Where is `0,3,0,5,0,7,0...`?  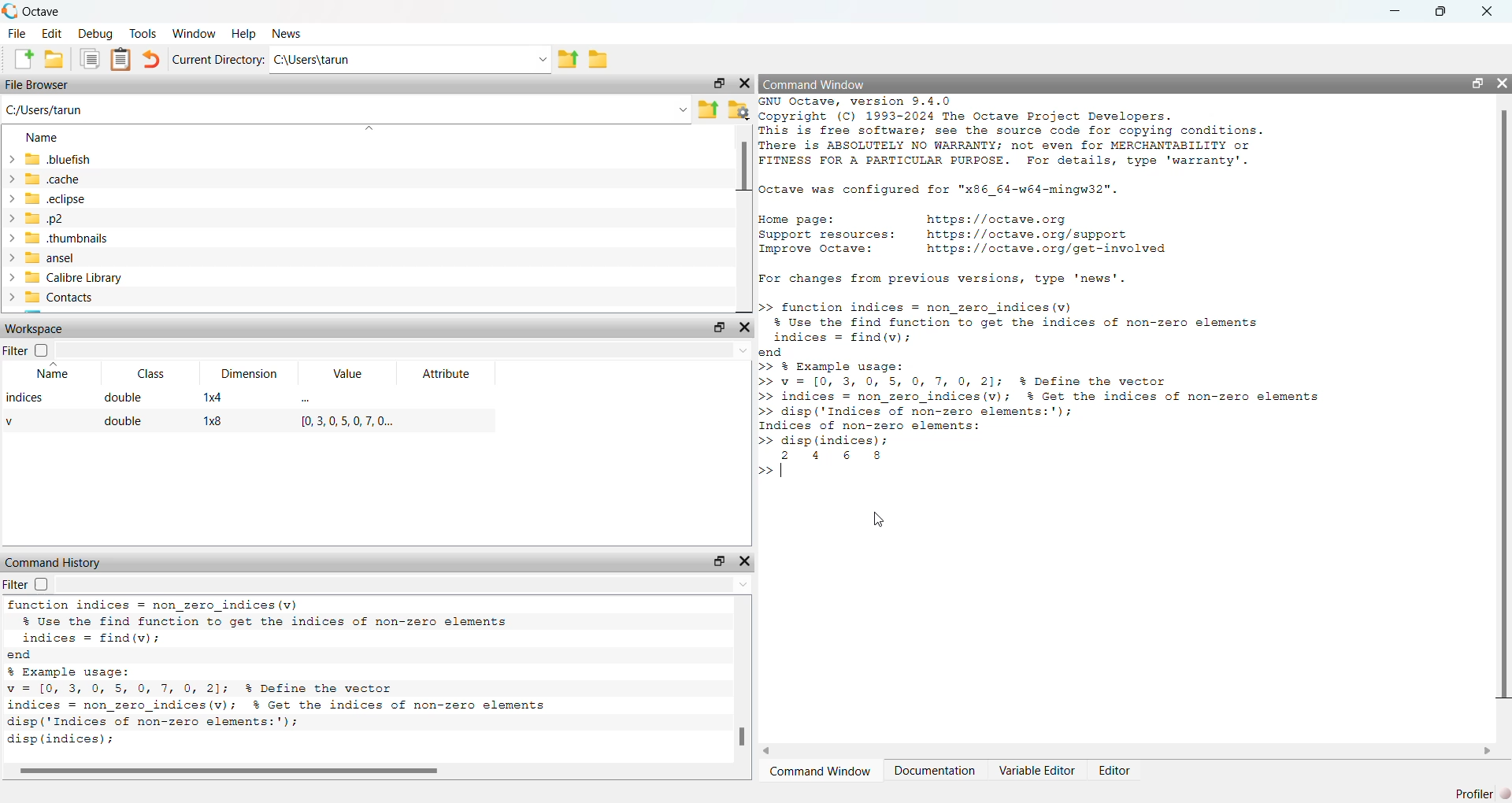 0,3,0,5,0,7,0... is located at coordinates (339, 423).